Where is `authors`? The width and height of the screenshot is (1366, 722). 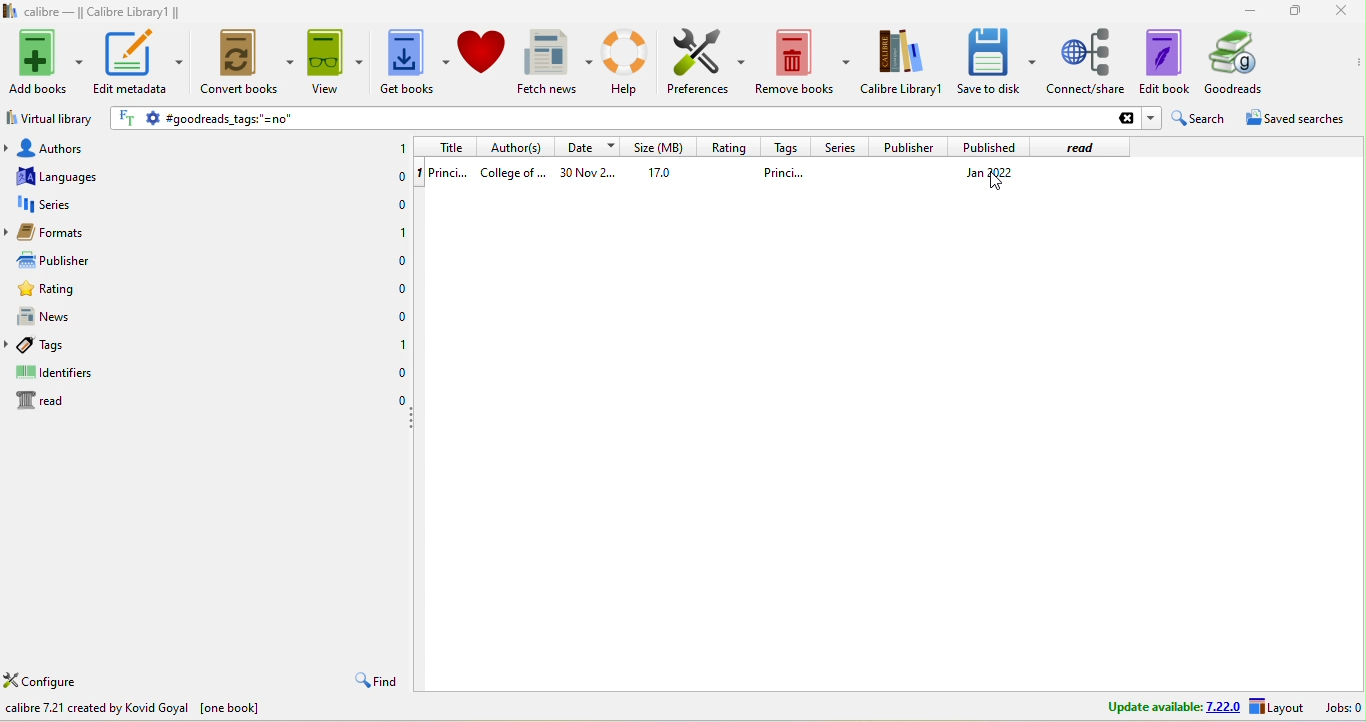 authors is located at coordinates (61, 148).